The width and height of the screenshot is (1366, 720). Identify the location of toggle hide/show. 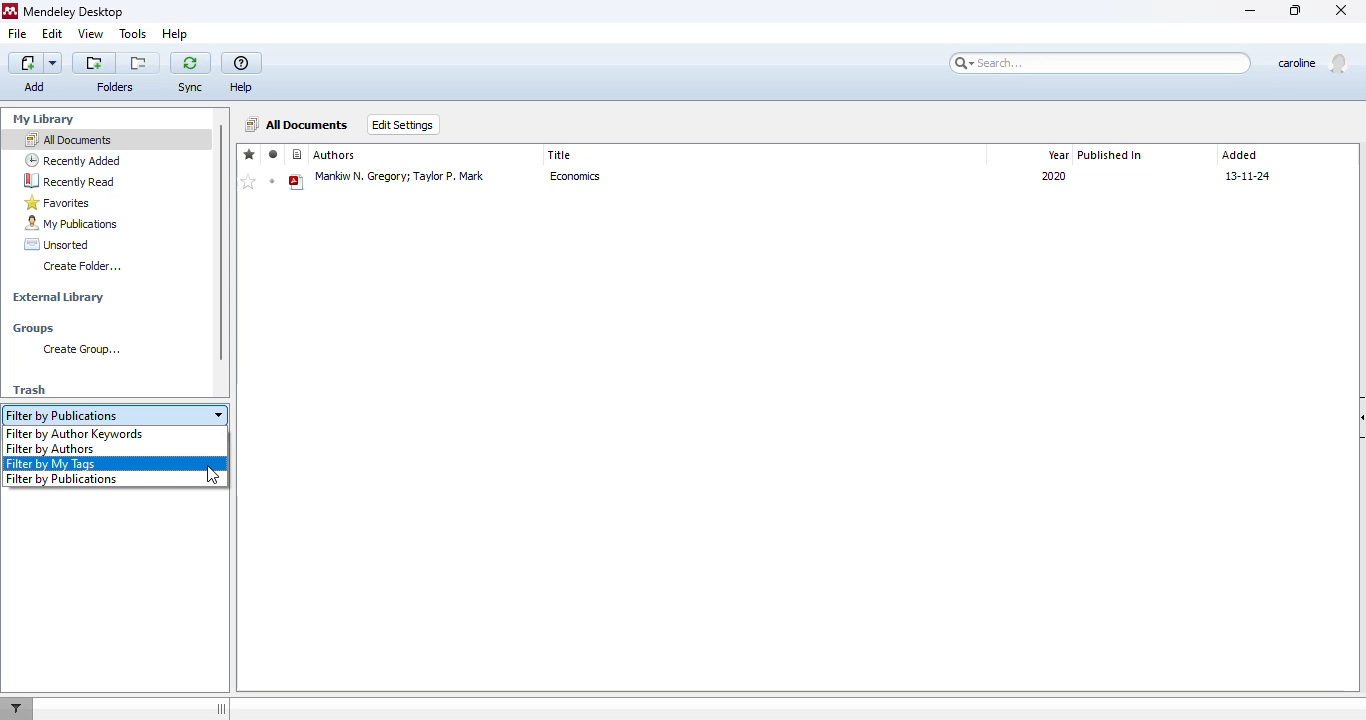
(220, 708).